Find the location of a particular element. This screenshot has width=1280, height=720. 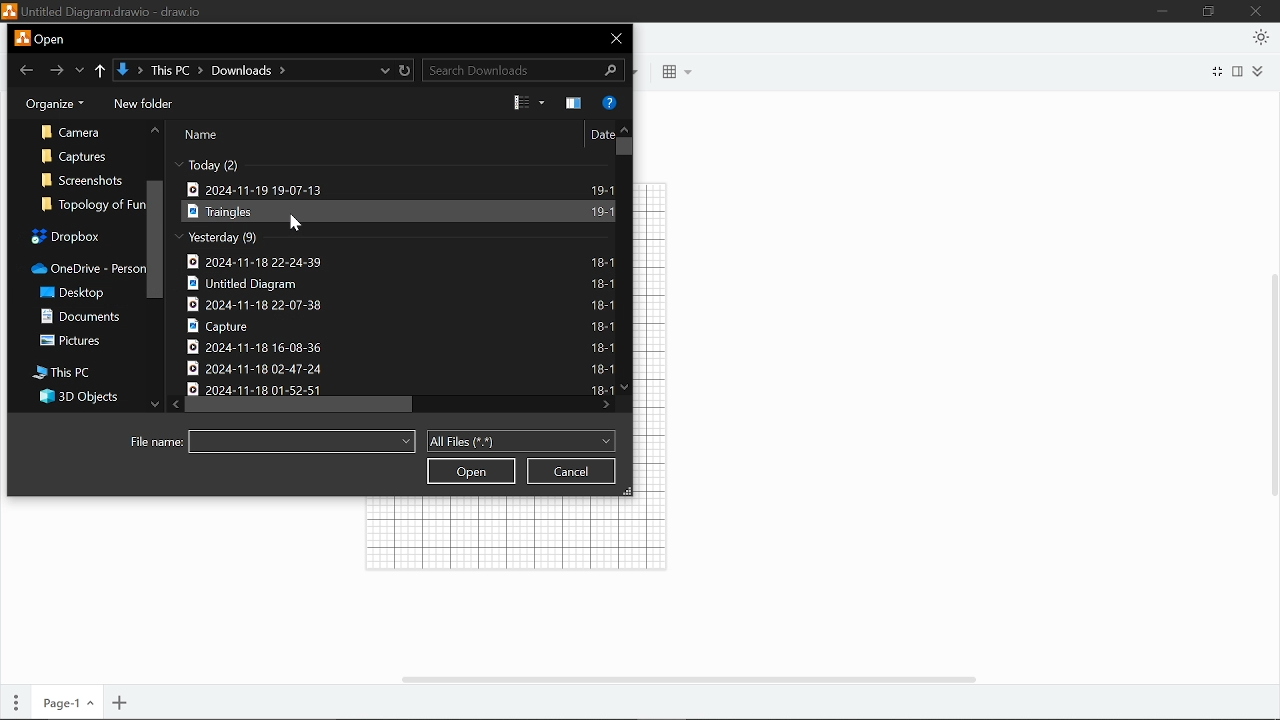

Captures is located at coordinates (79, 155).